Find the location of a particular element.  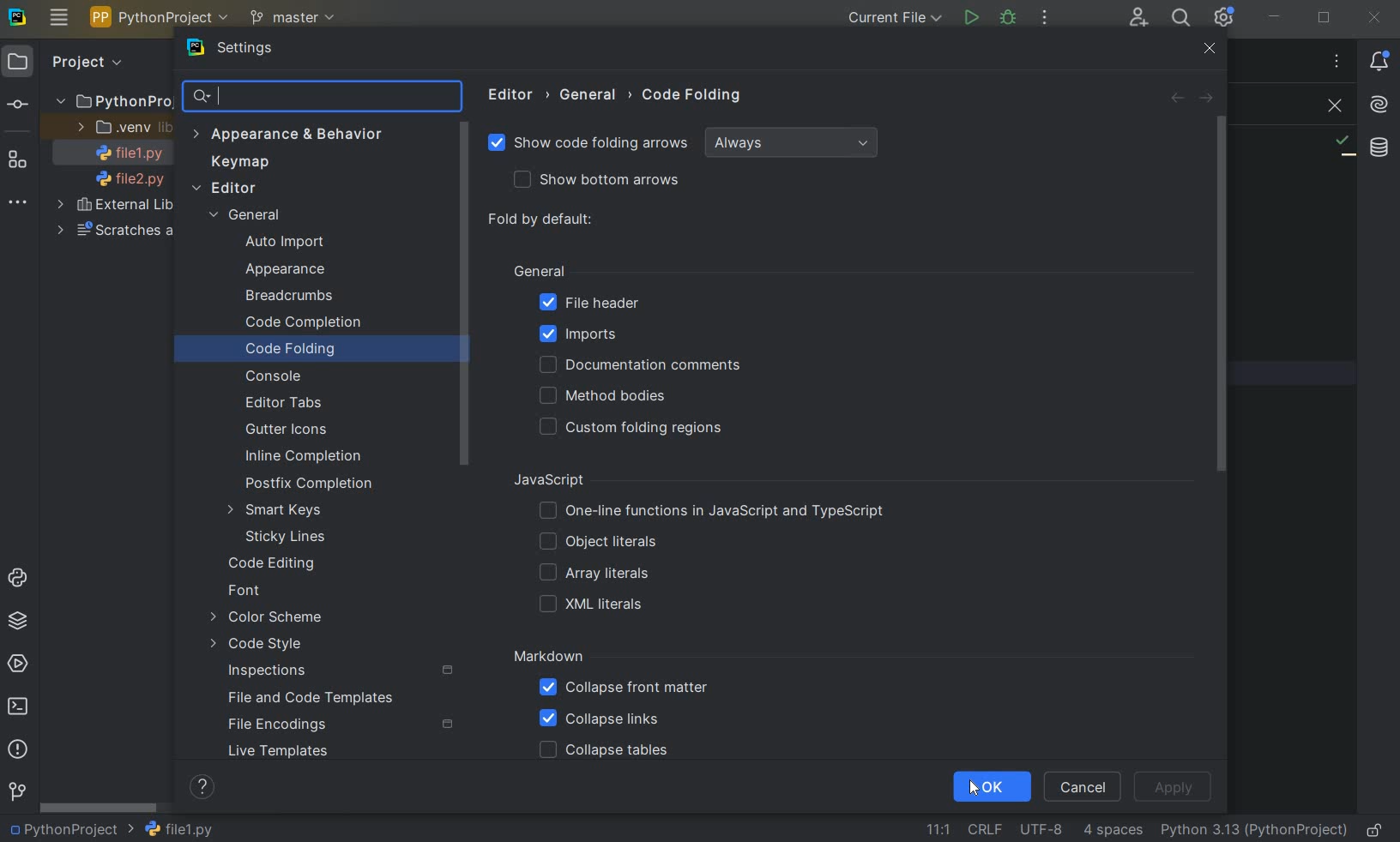

GENERAL is located at coordinates (252, 217).